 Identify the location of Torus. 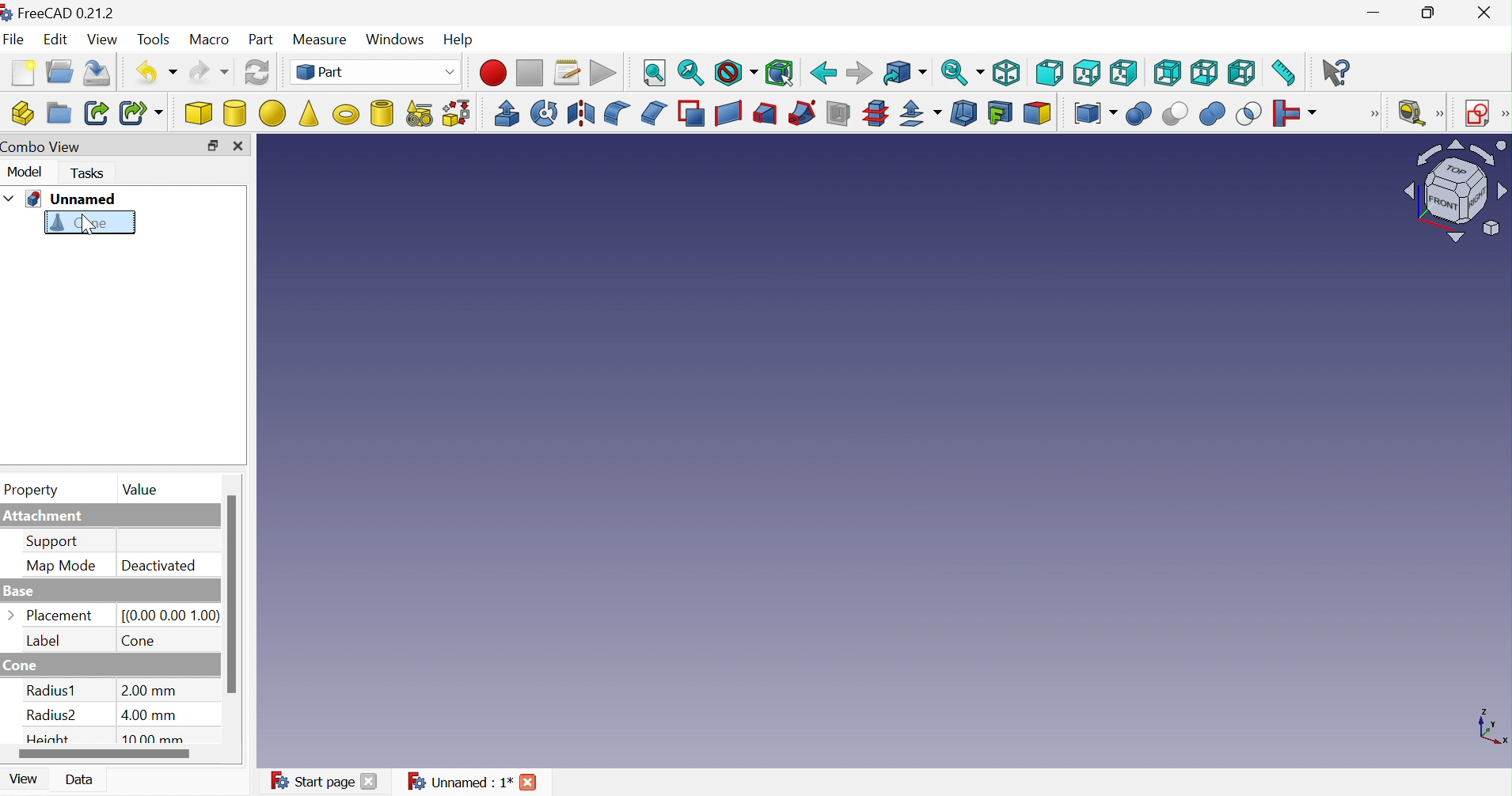
(345, 114).